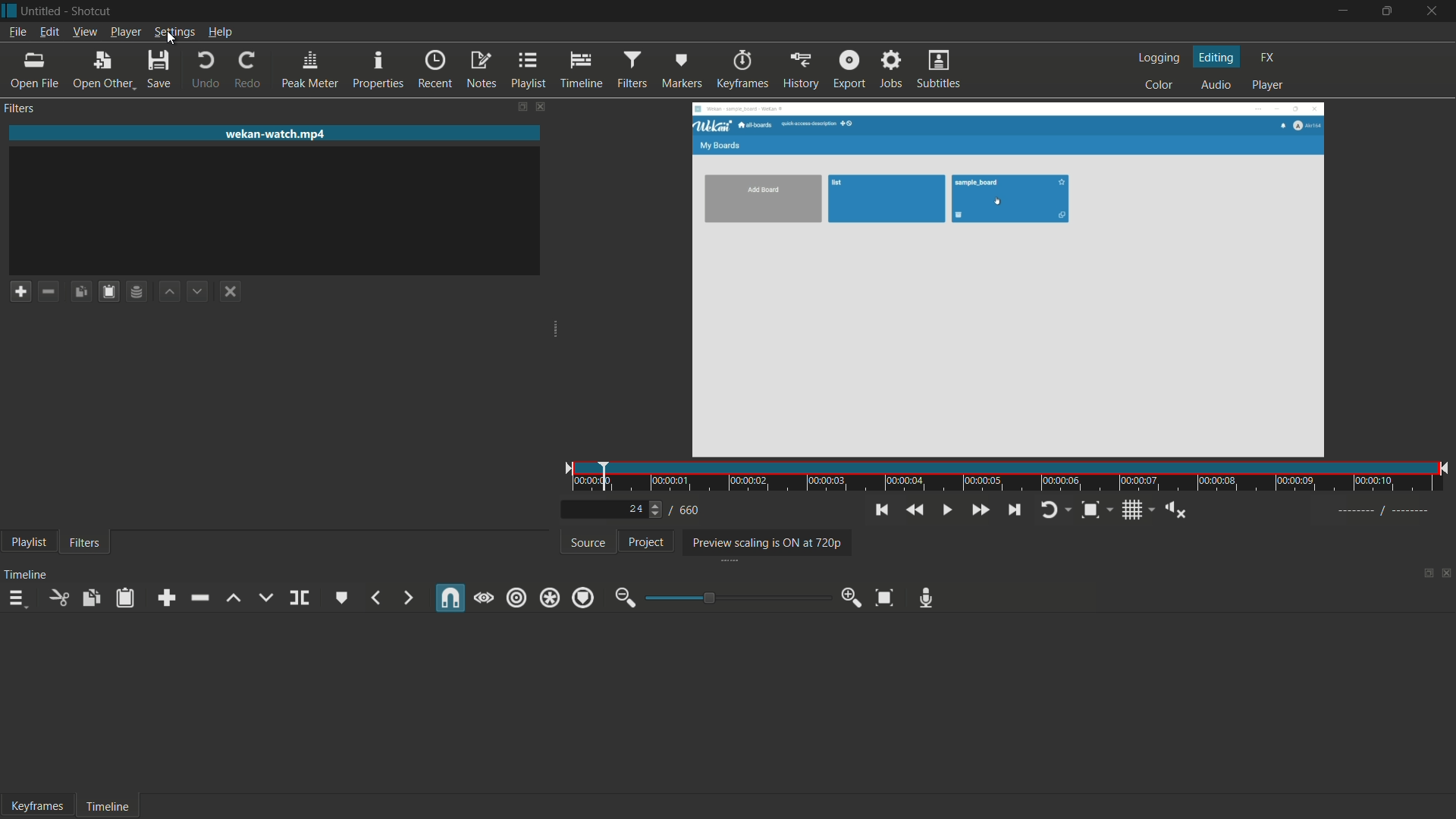  Describe the element at coordinates (644, 541) in the screenshot. I see `project` at that location.